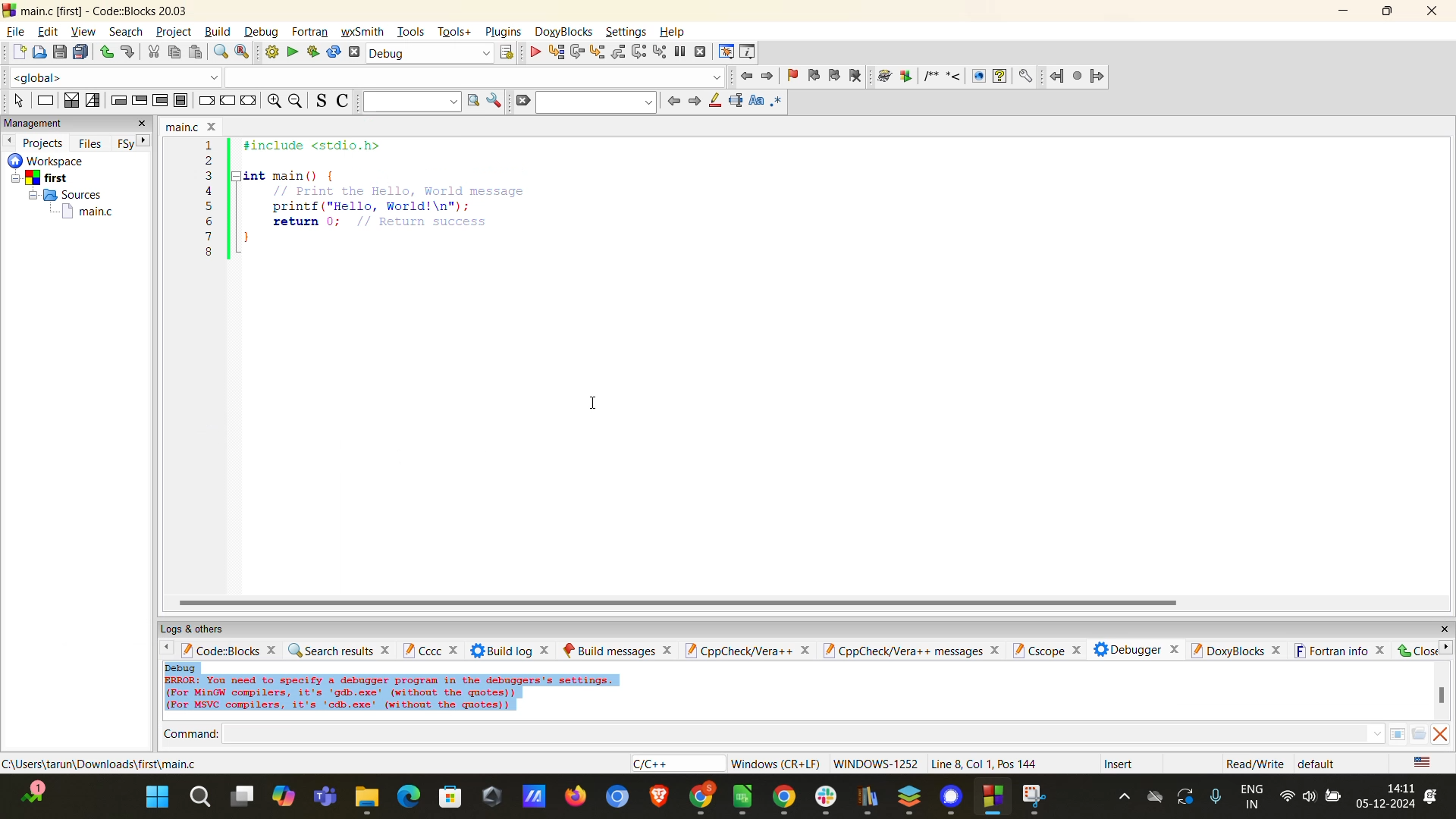 Image resolution: width=1456 pixels, height=819 pixels. I want to click on build target, so click(431, 53).